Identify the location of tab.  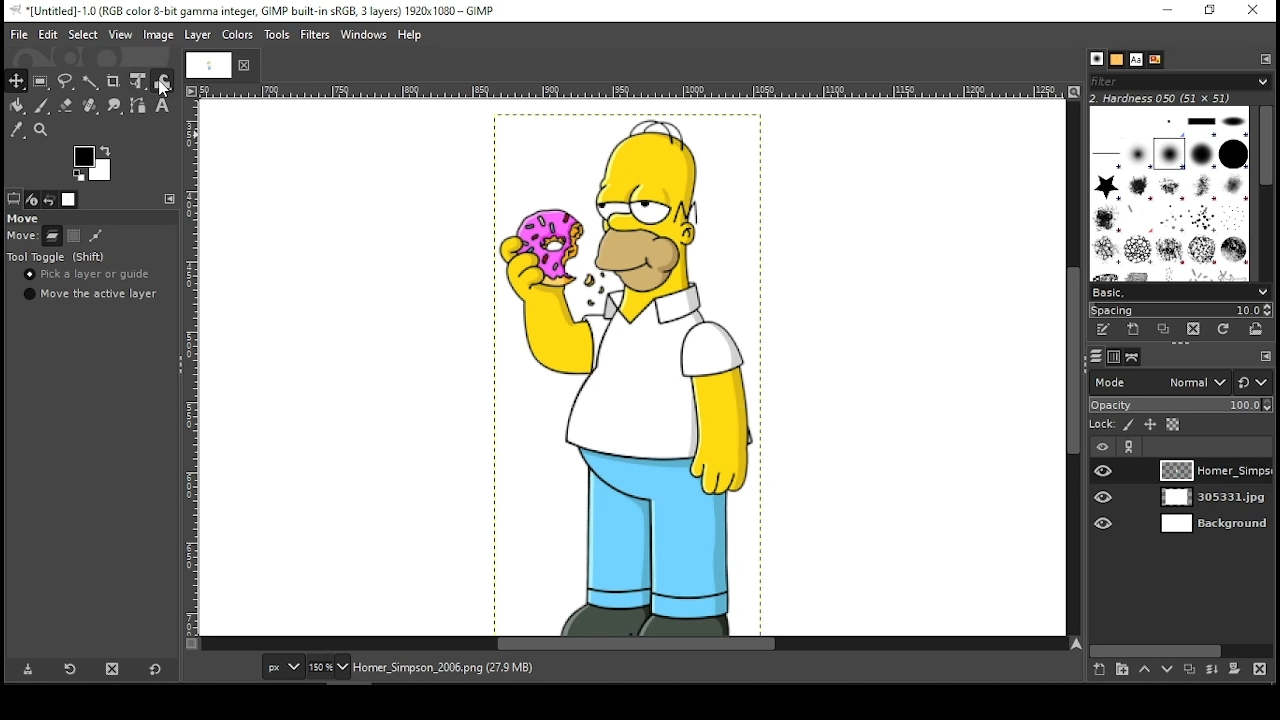
(211, 67).